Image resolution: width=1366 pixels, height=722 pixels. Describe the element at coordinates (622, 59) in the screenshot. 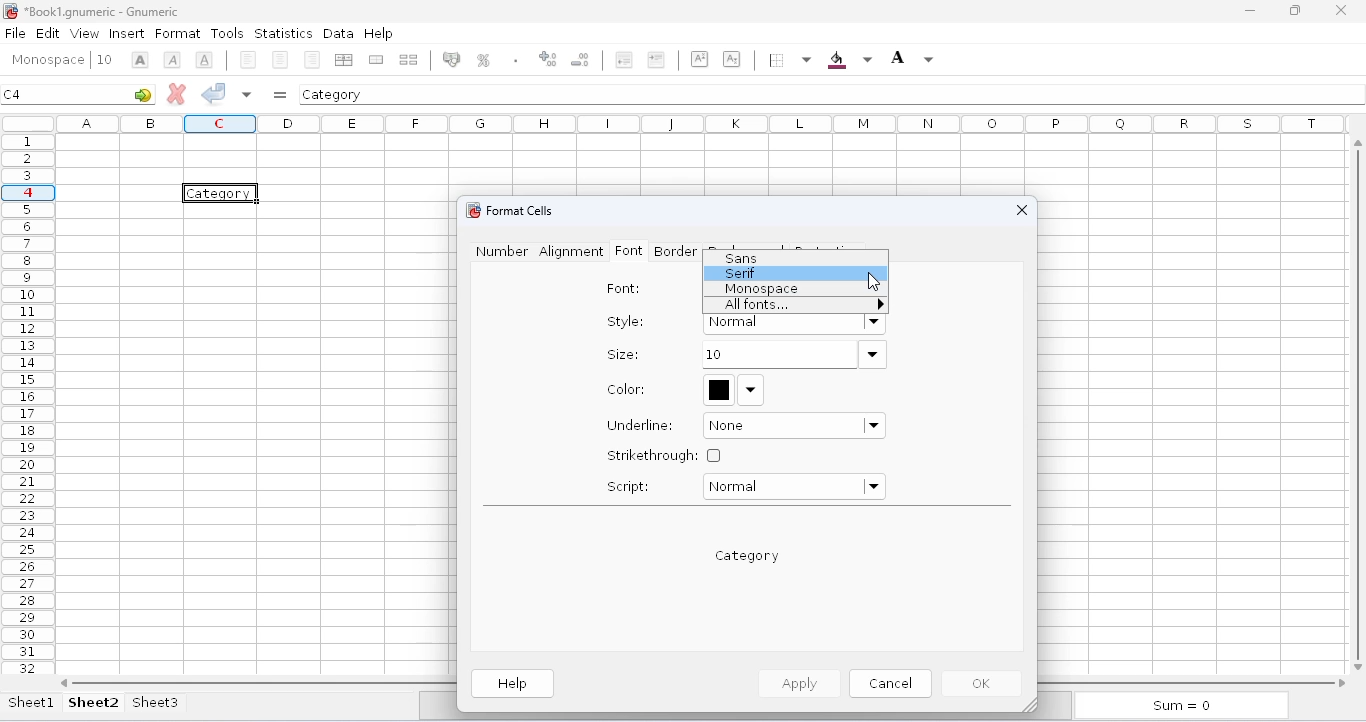

I see `decrease the indent` at that location.